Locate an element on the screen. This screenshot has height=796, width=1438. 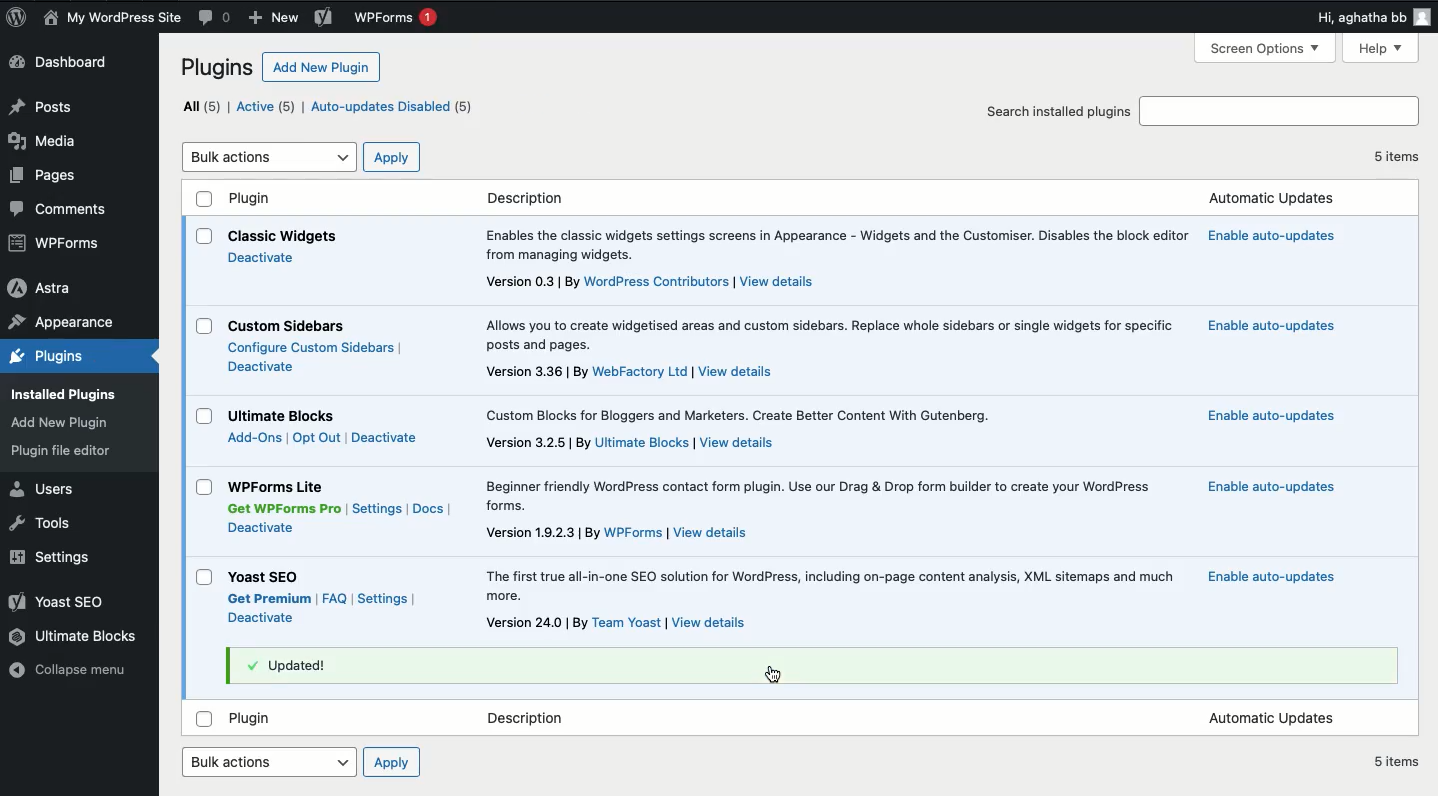
Astra is located at coordinates (43, 287).